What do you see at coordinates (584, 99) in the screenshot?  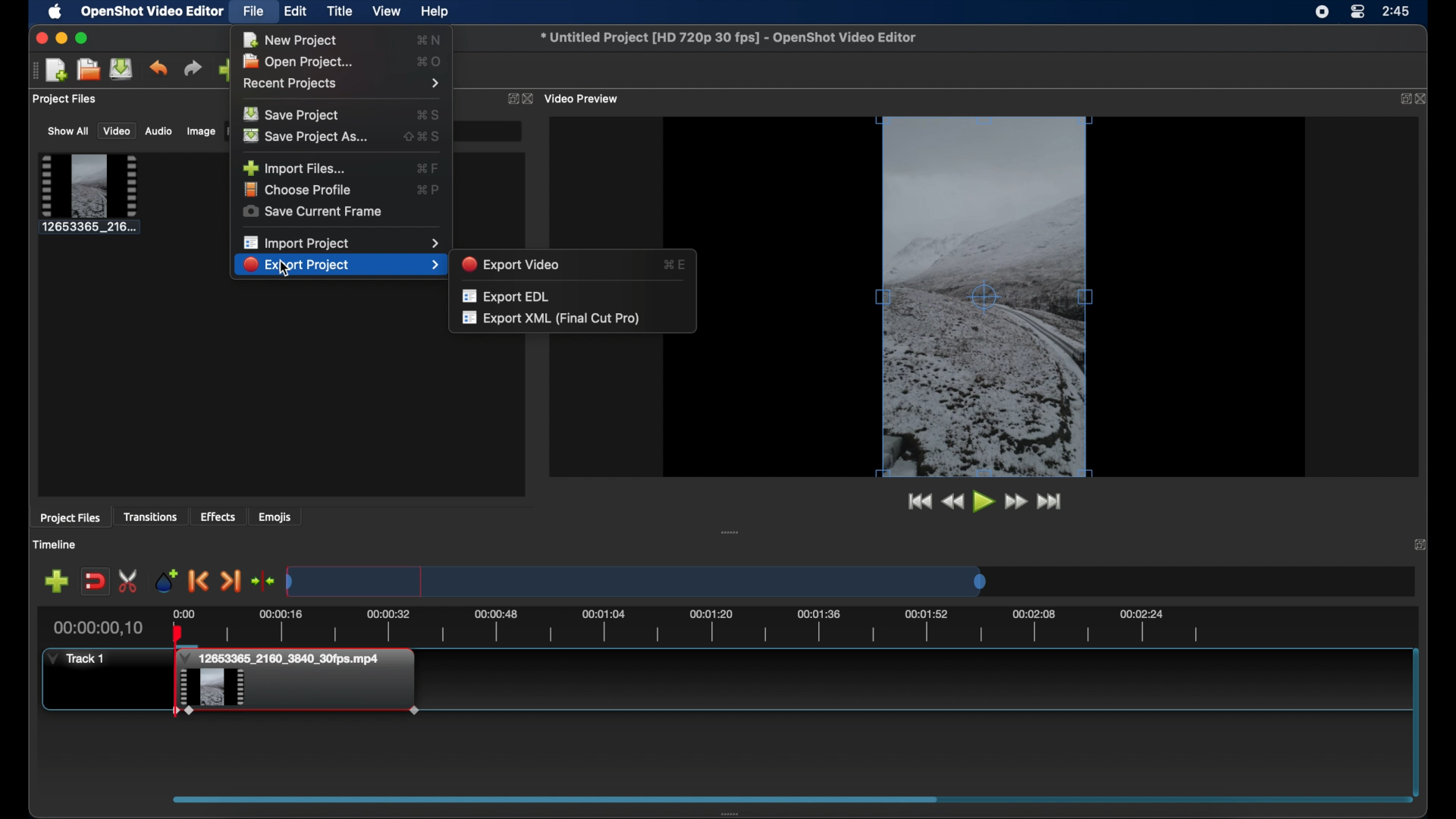 I see `video preview` at bounding box center [584, 99].